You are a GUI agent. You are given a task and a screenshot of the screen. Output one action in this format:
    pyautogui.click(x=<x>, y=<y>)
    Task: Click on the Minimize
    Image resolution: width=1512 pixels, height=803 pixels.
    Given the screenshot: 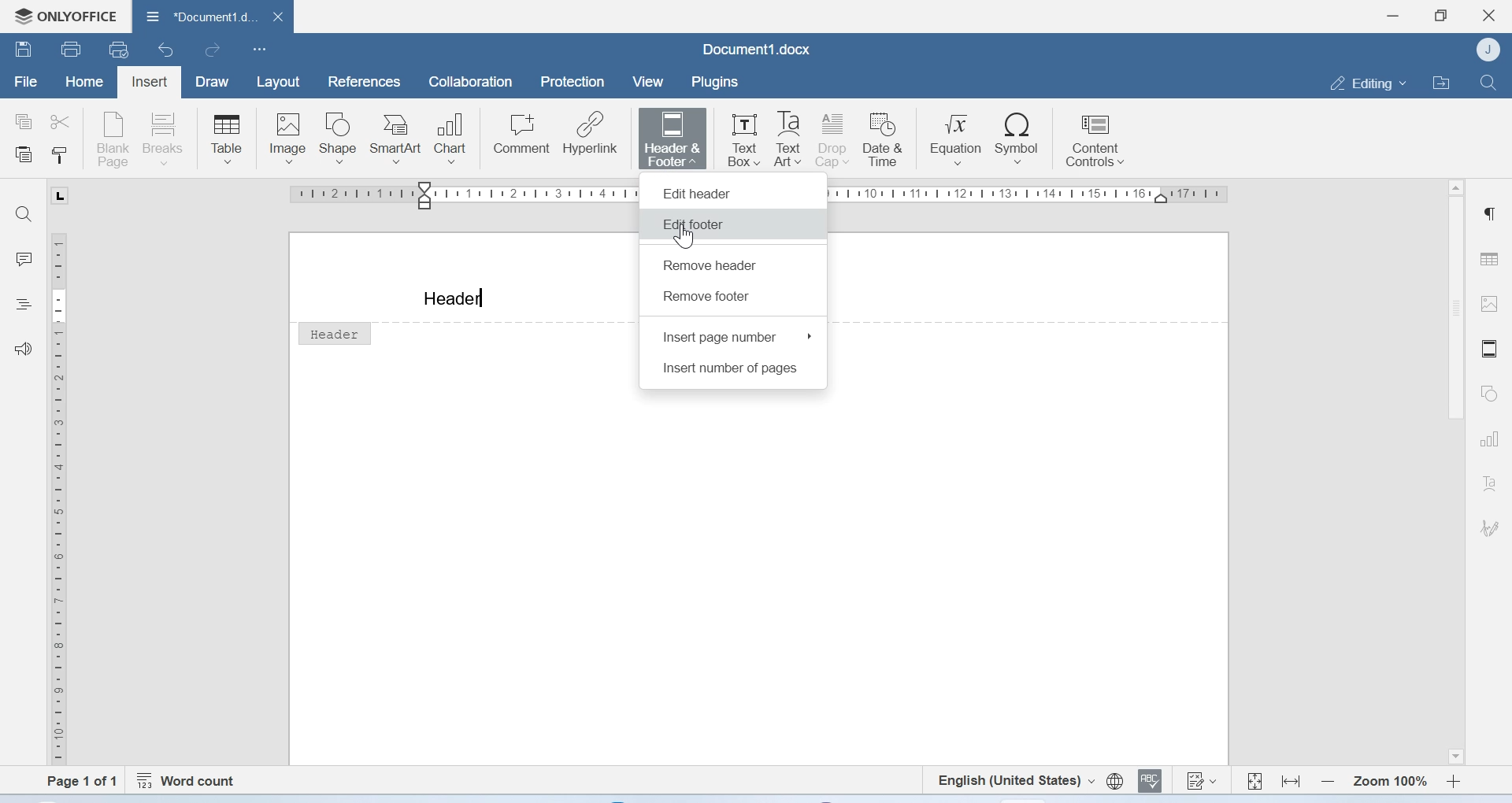 What is the action you would take?
    pyautogui.click(x=1393, y=16)
    